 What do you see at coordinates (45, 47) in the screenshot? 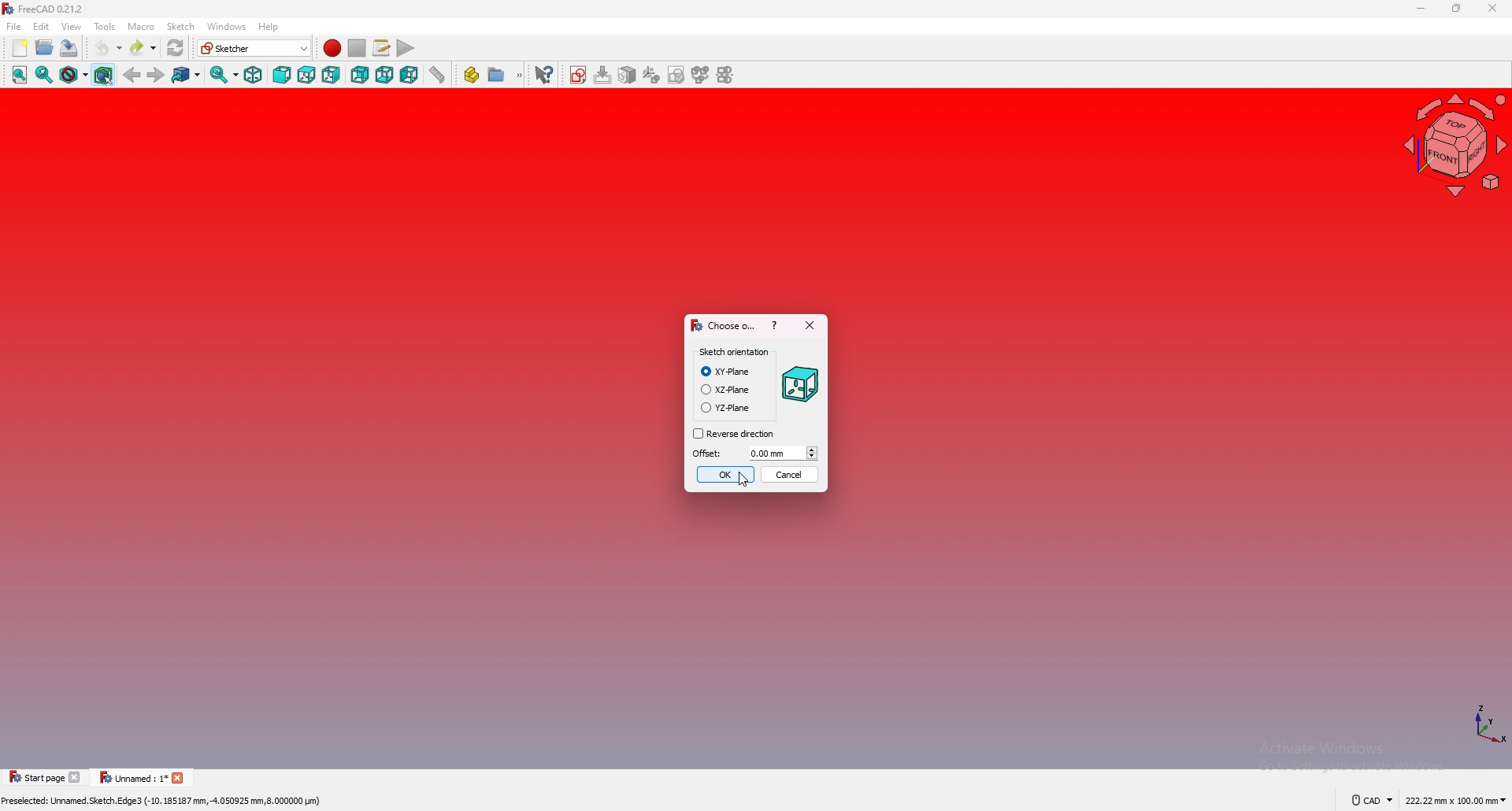
I see `open` at bounding box center [45, 47].